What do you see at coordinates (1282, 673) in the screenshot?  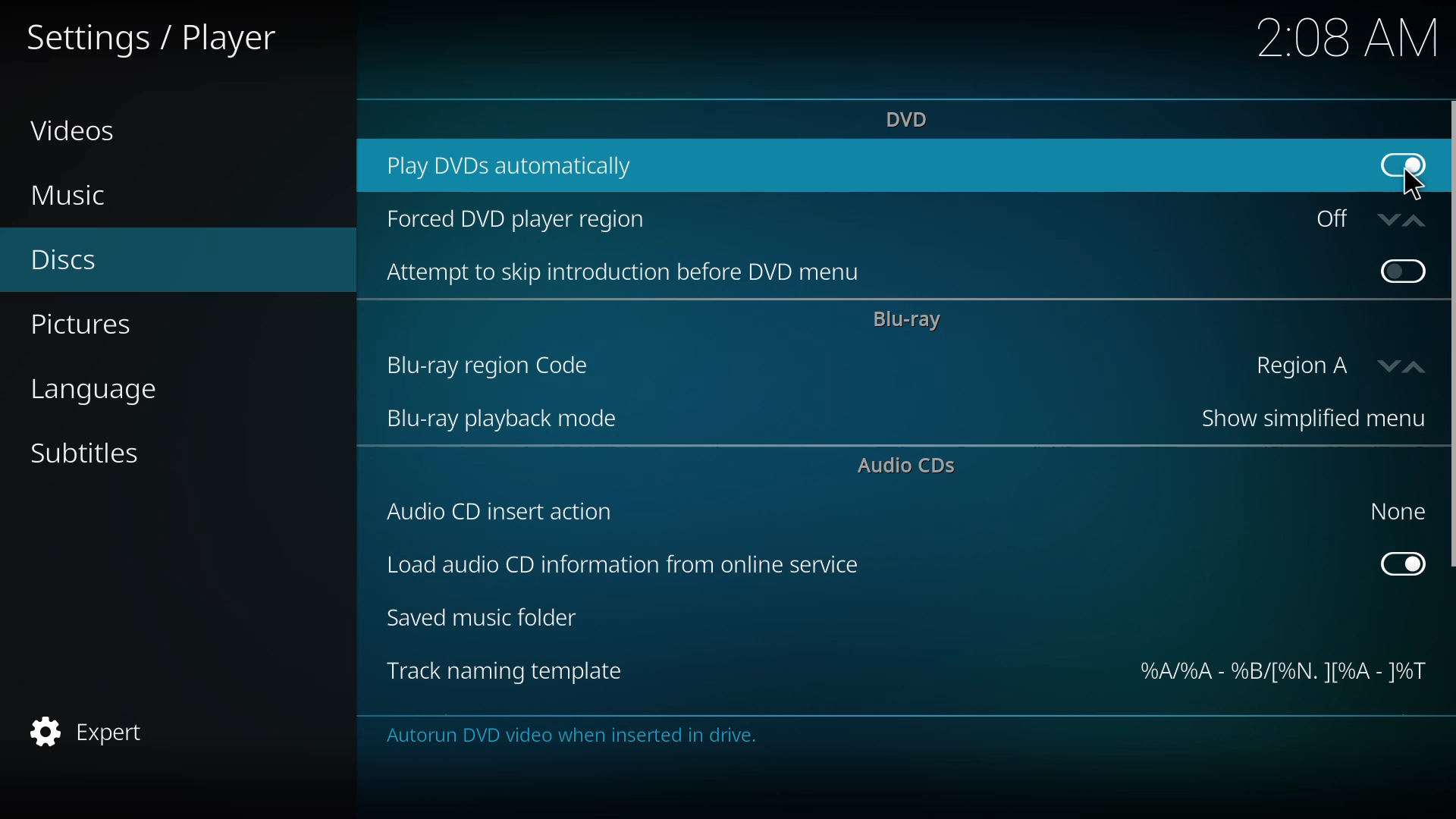 I see `template` at bounding box center [1282, 673].